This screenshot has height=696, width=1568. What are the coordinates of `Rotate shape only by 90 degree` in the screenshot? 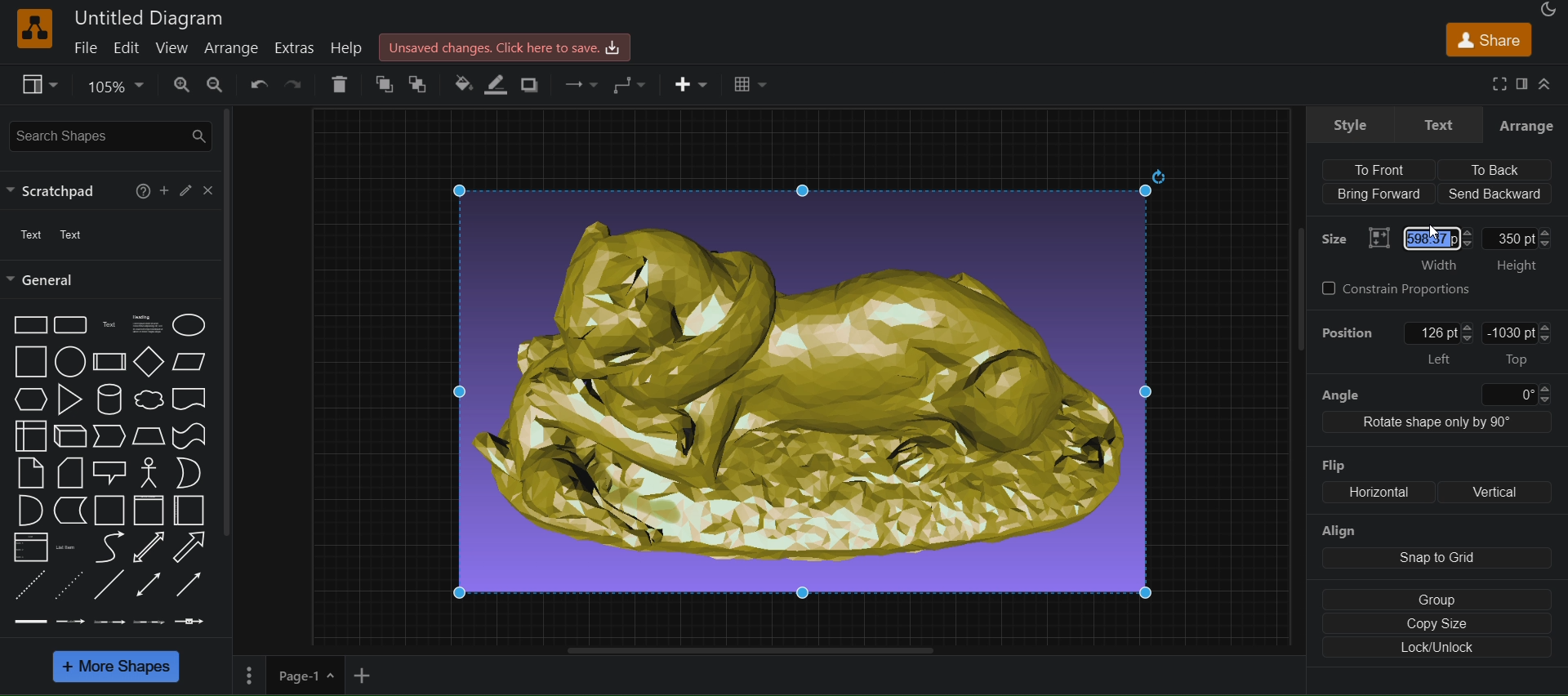 It's located at (1436, 425).